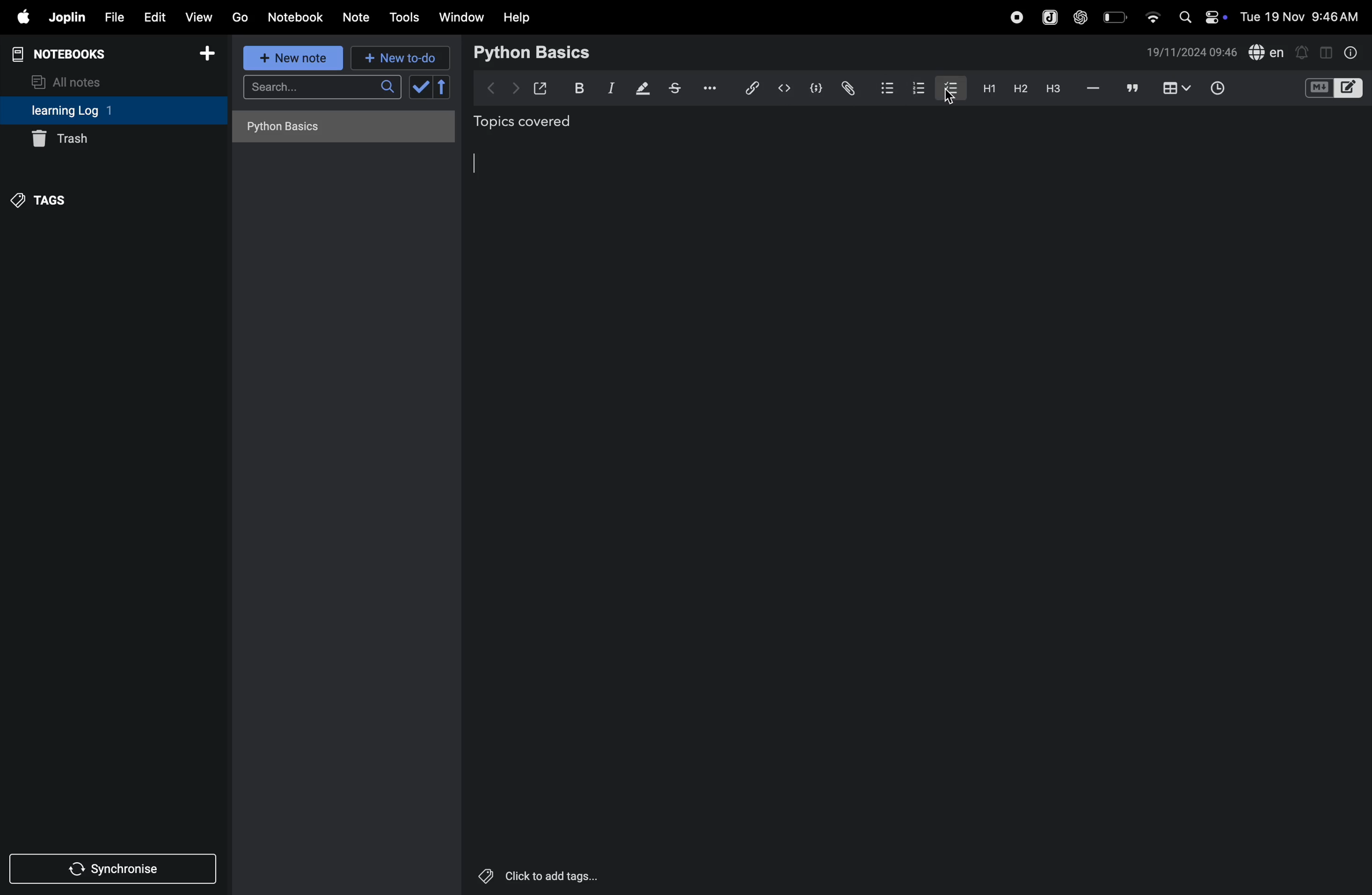 This screenshot has height=895, width=1372. I want to click on itallic, so click(609, 89).